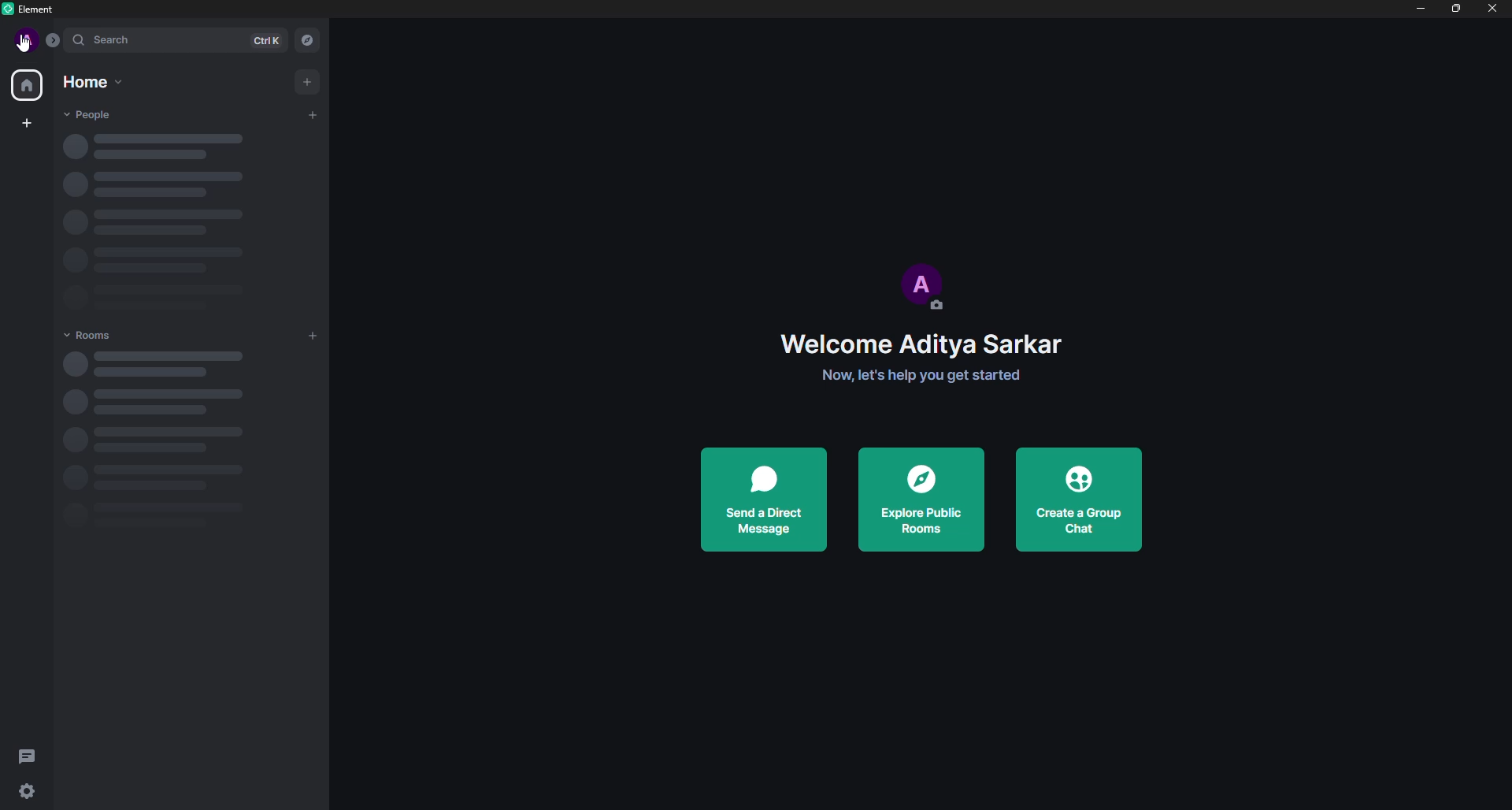 The width and height of the screenshot is (1512, 810). Describe the element at coordinates (927, 288) in the screenshot. I see `profile picture` at that location.